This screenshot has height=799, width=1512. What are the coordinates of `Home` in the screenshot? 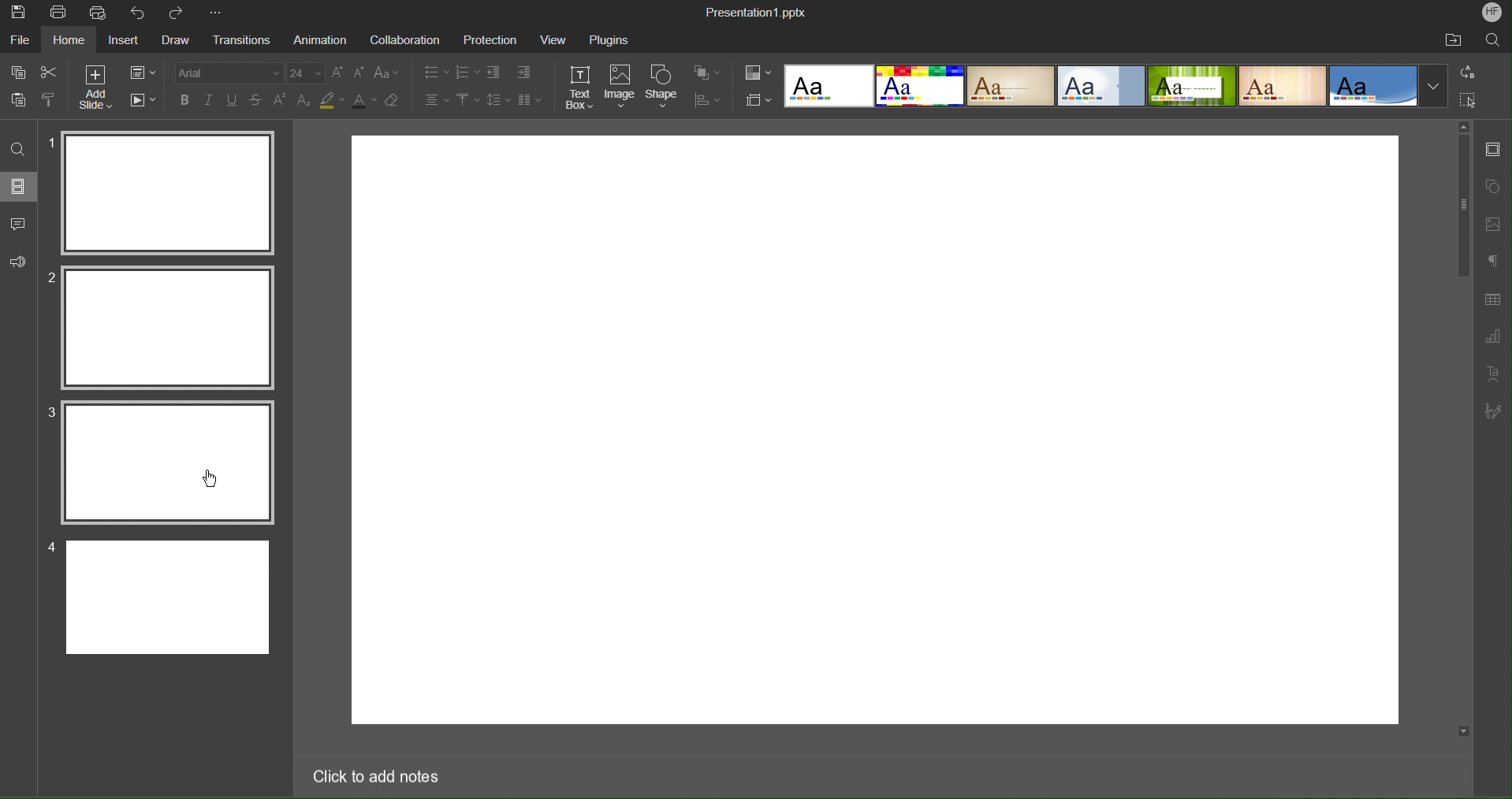 It's located at (71, 40).